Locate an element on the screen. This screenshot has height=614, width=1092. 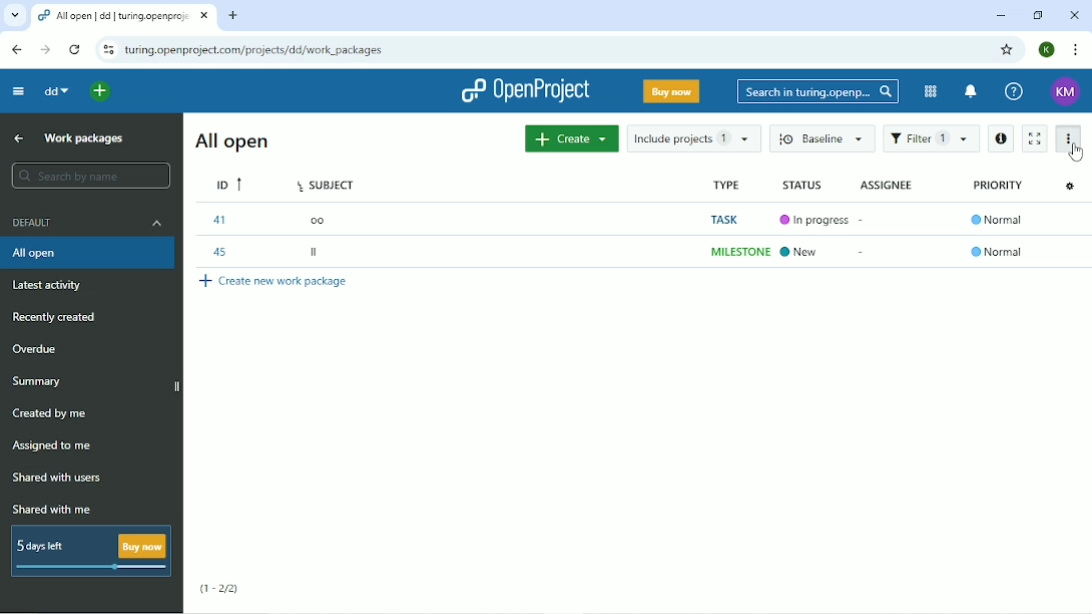
Priority is located at coordinates (994, 185).